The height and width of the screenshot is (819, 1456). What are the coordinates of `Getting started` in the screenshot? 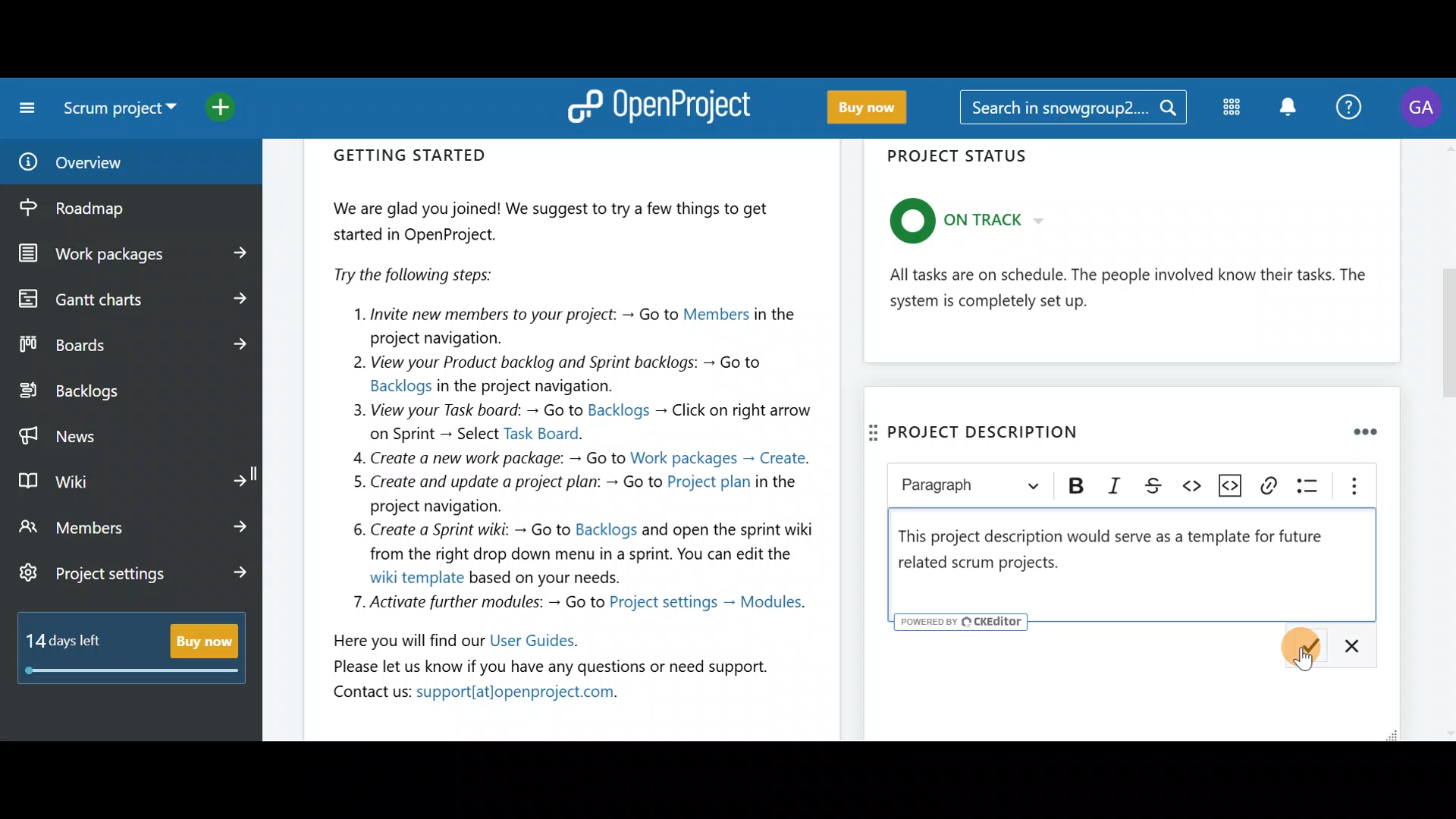 It's located at (573, 428).